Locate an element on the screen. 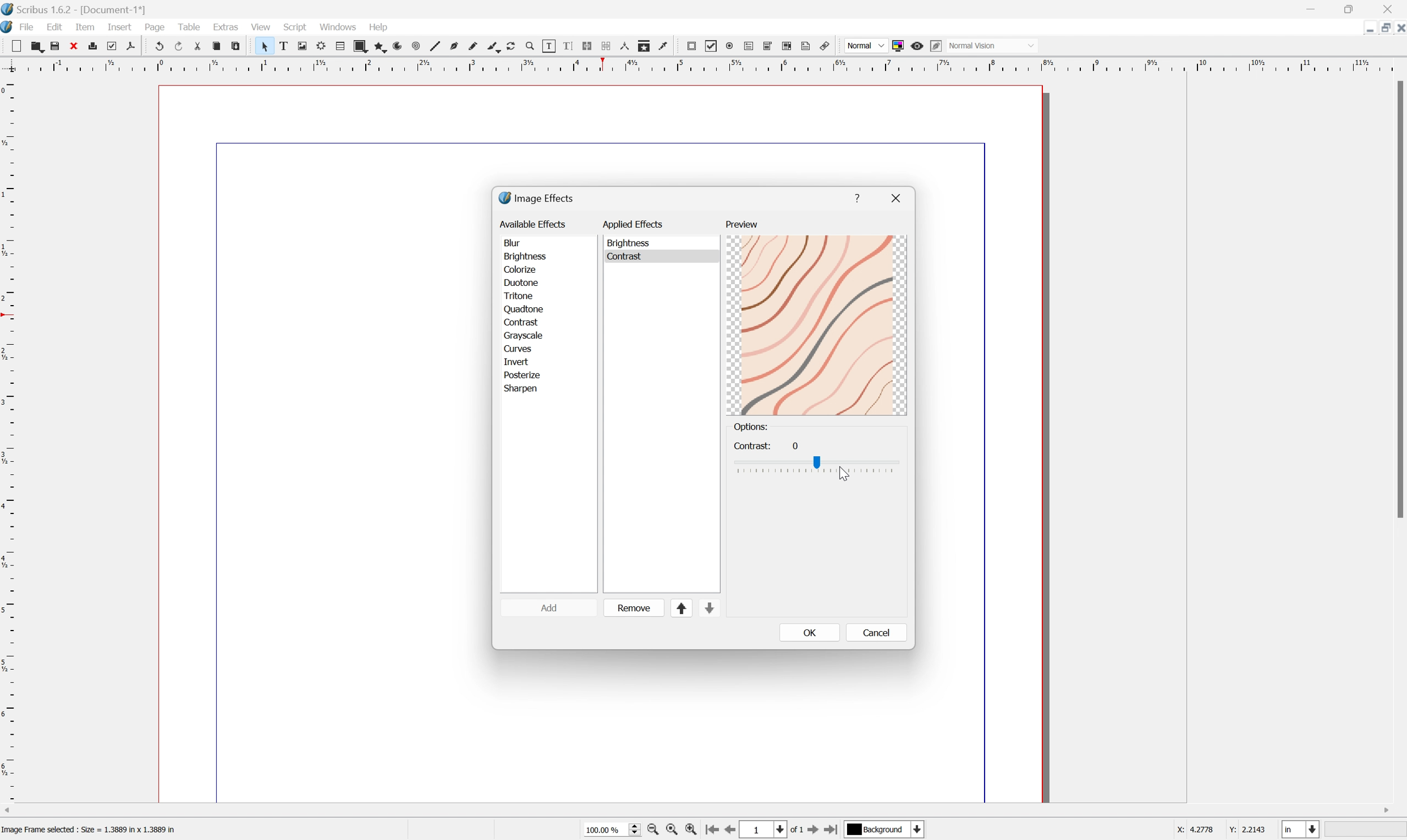 Image resolution: width=1407 pixels, height=840 pixels. Edit text with story editor is located at coordinates (568, 46).